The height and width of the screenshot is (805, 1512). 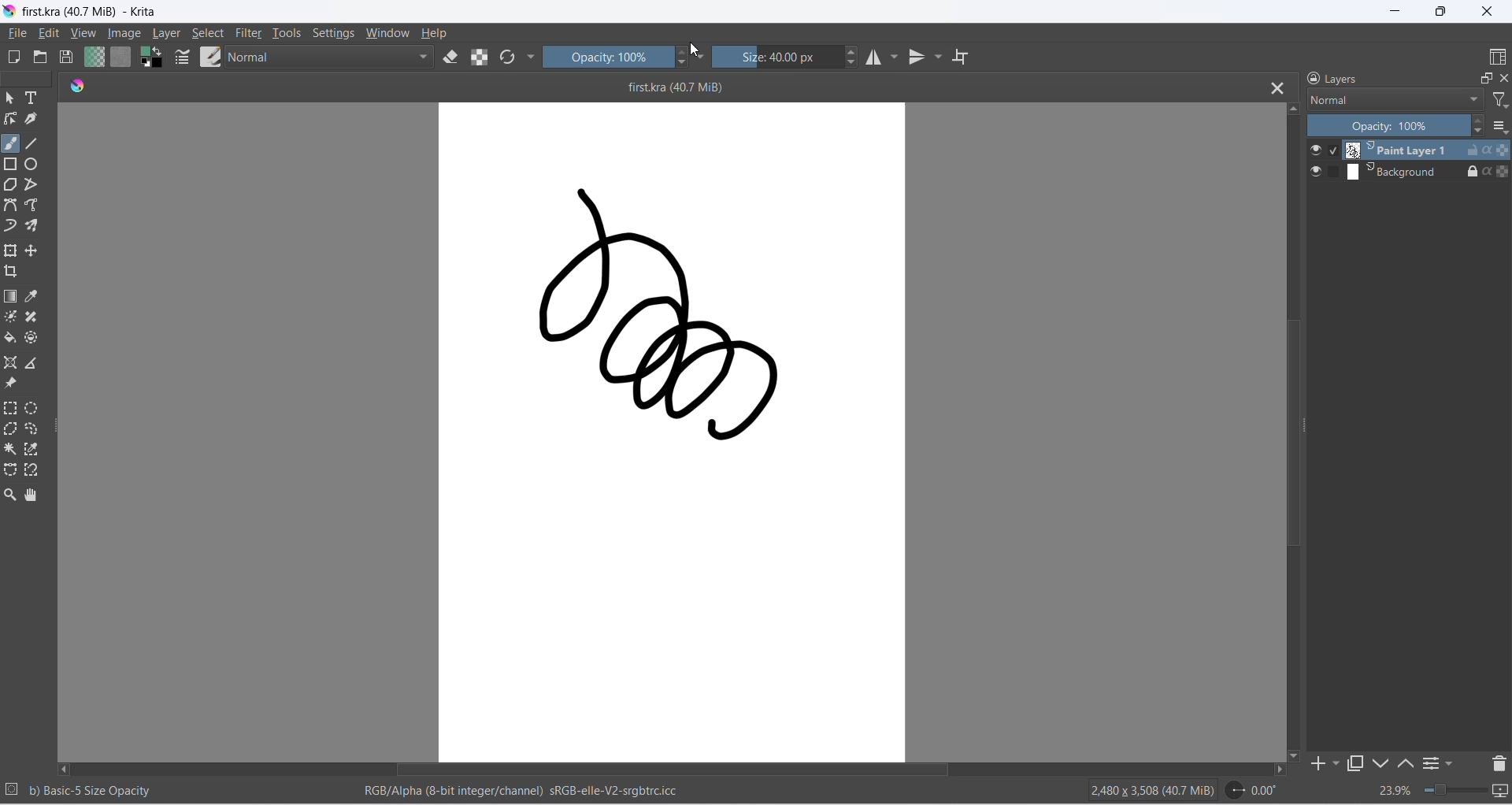 I want to click on duplicate layer, so click(x=1357, y=763).